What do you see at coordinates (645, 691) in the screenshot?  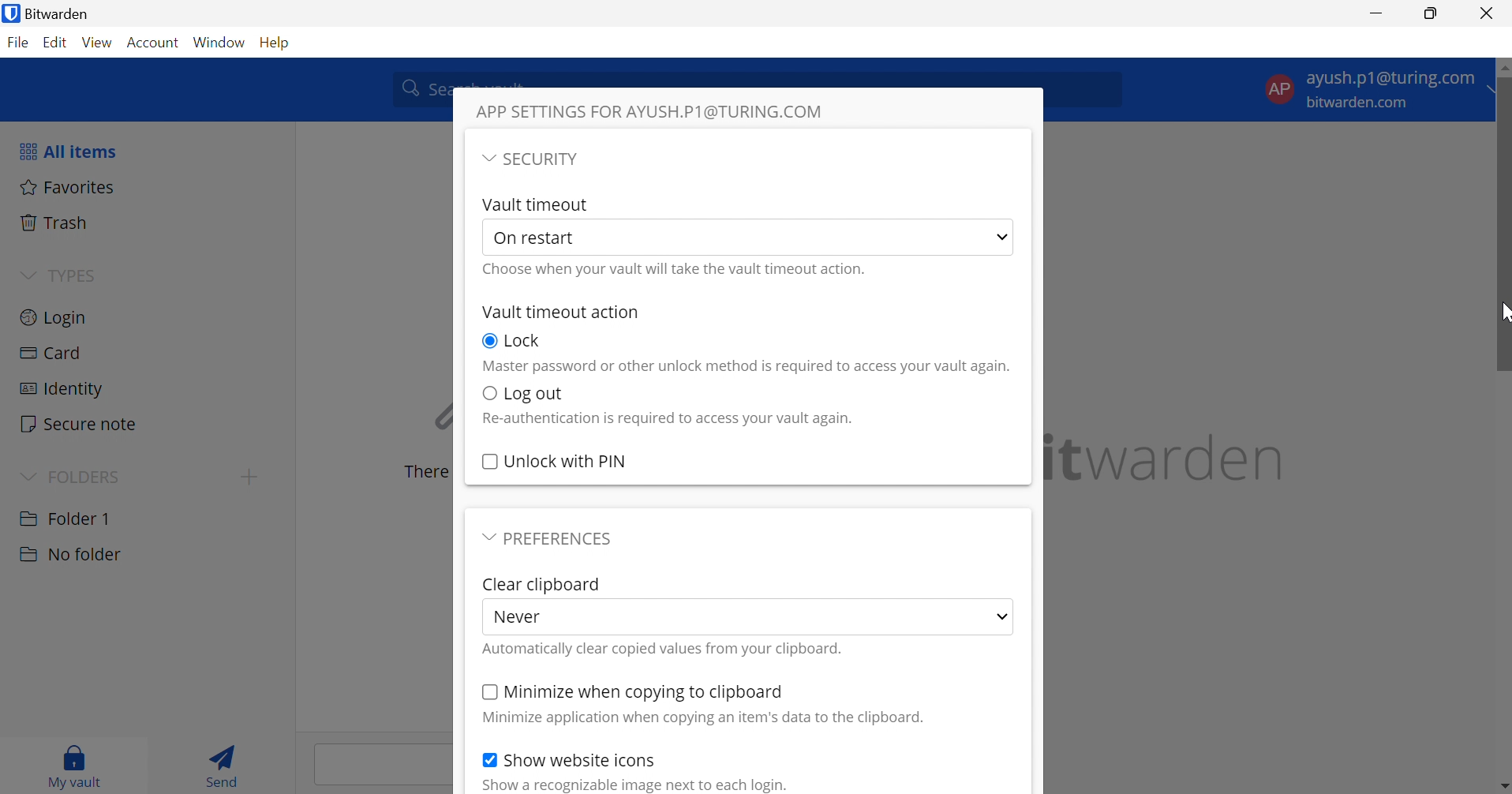 I see `Minimize when copying to clipboard` at bounding box center [645, 691].